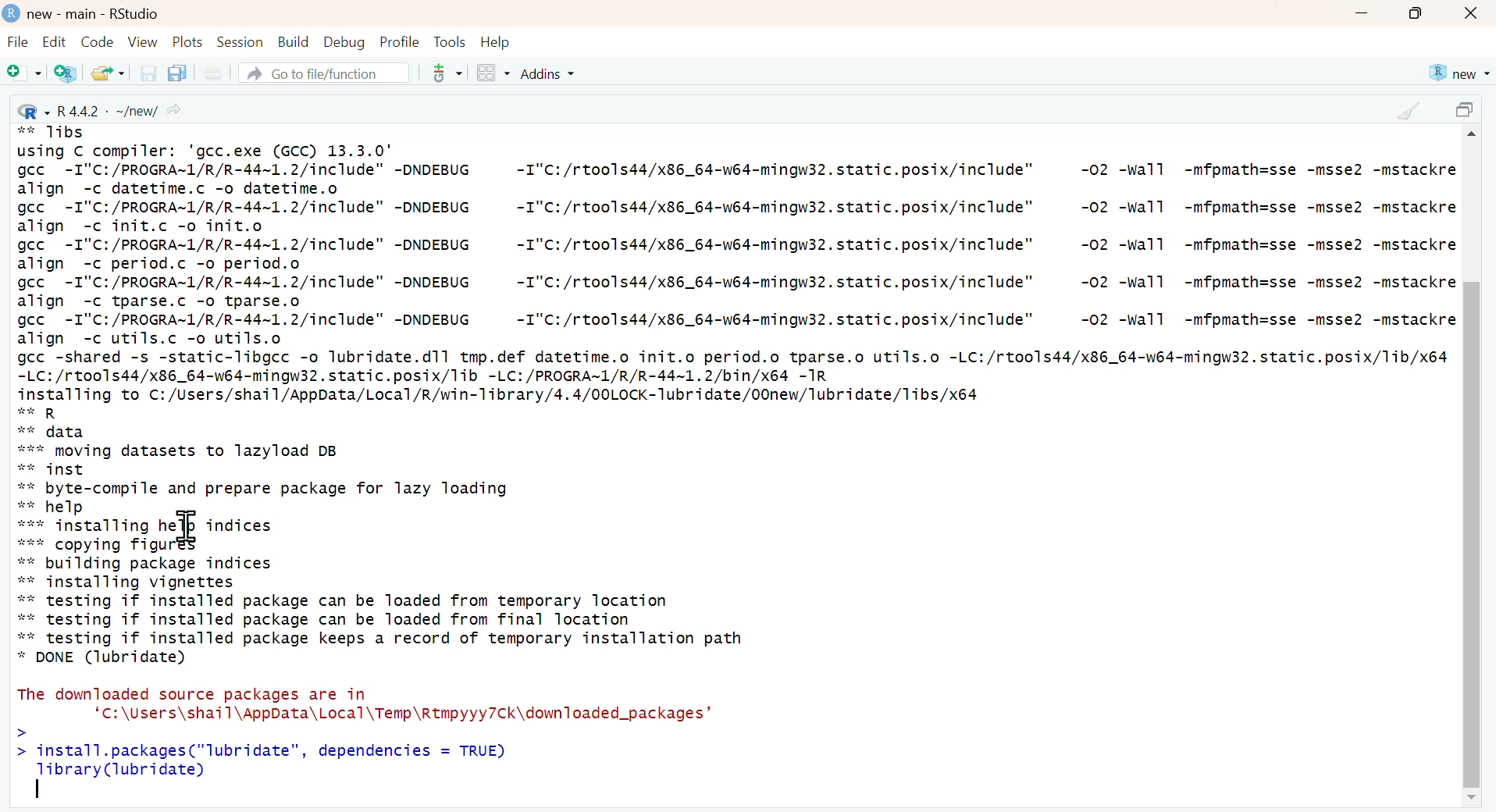 This screenshot has height=812, width=1496. What do you see at coordinates (269, 760) in the screenshot?
I see `> install.packages("lubridate”, dependencies = TRUE)
Tibrary(lubridate)` at bounding box center [269, 760].